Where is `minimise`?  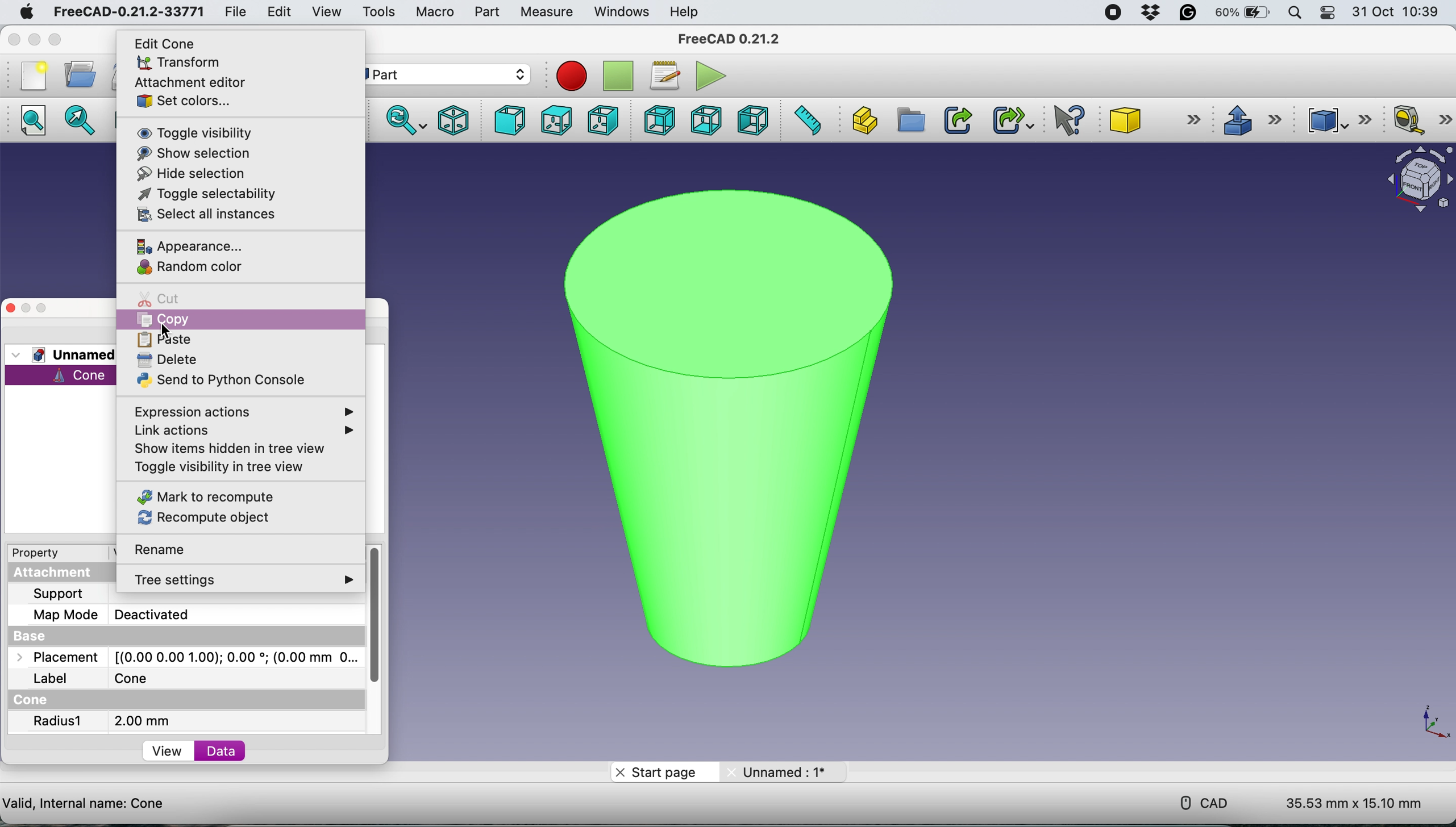
minimise is located at coordinates (34, 39).